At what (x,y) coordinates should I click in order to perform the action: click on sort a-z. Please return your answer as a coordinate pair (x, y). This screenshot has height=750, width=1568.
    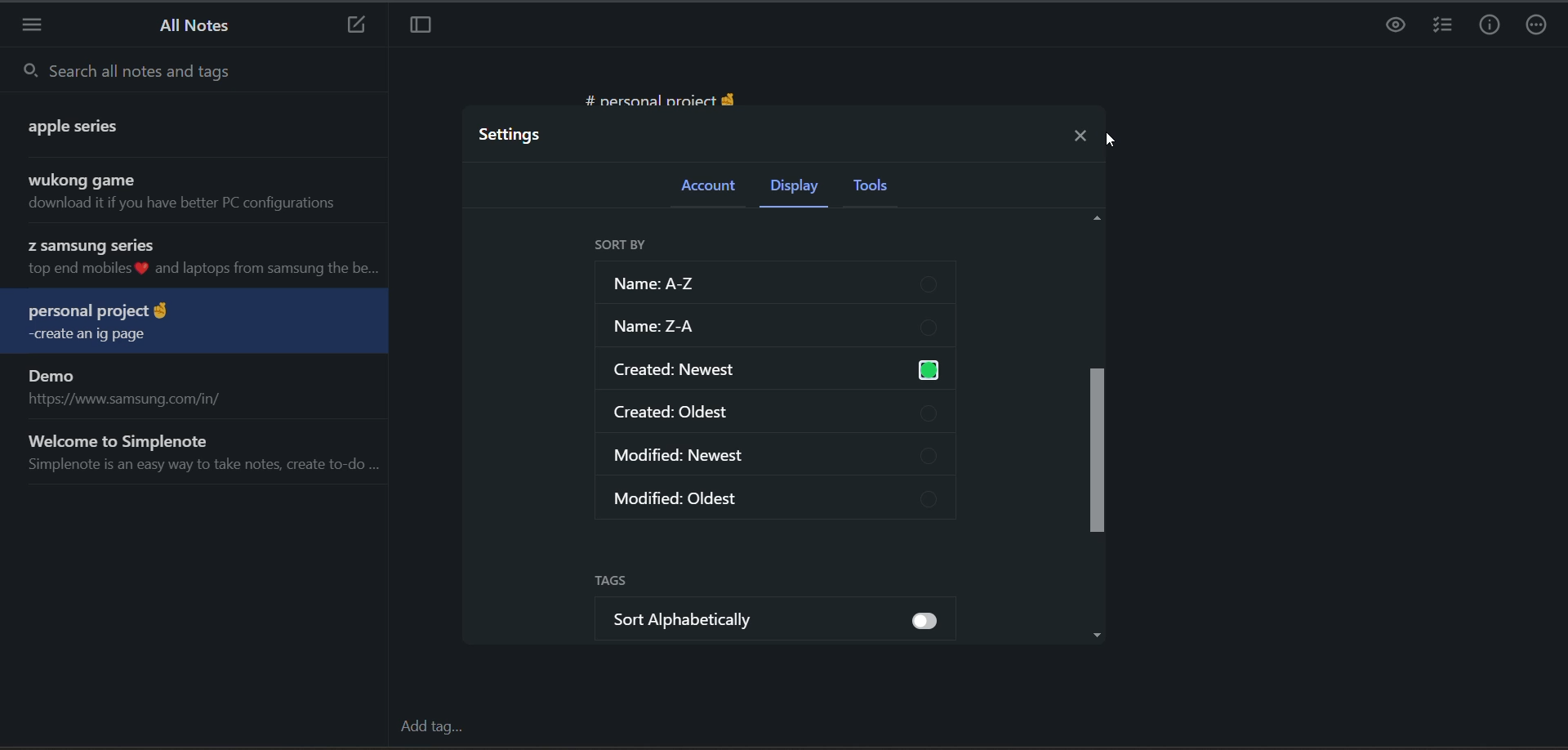
    Looking at the image, I should click on (785, 285).